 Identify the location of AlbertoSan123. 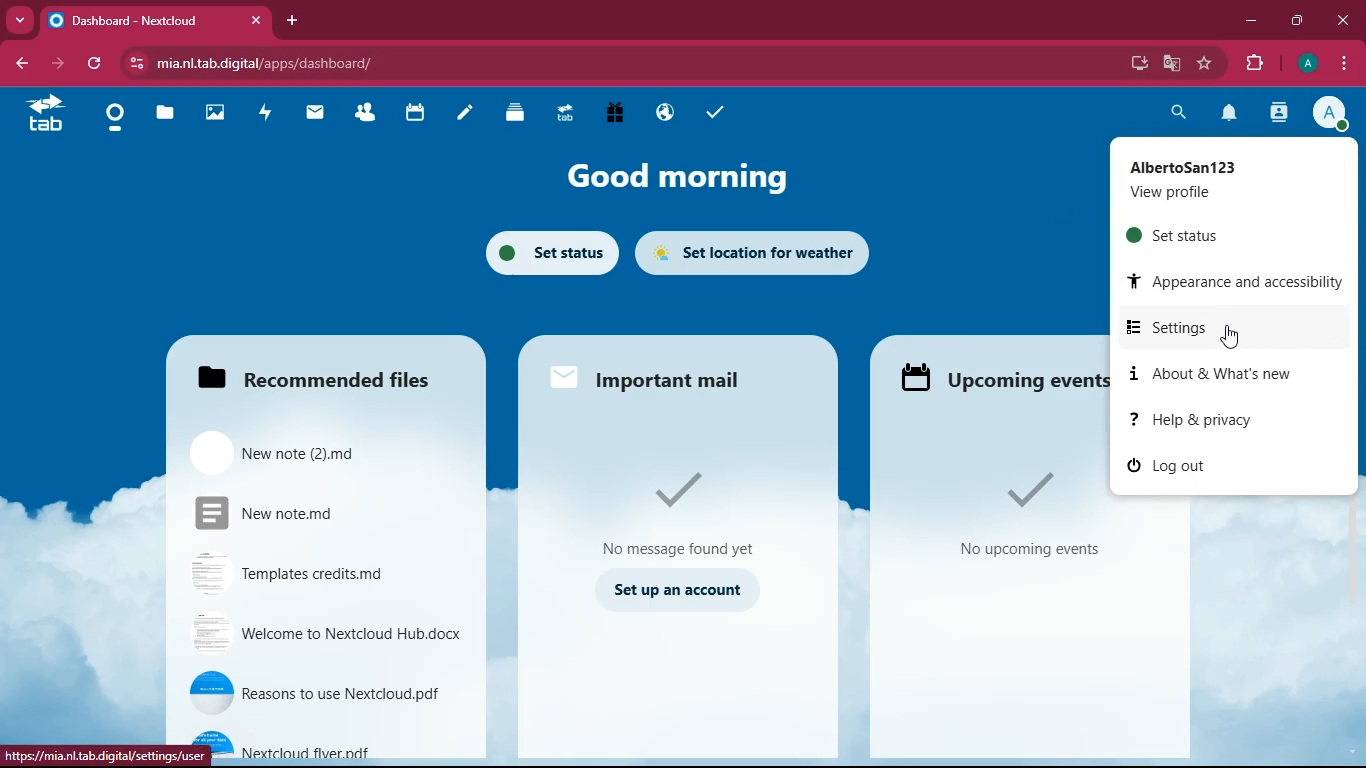
(1225, 170).